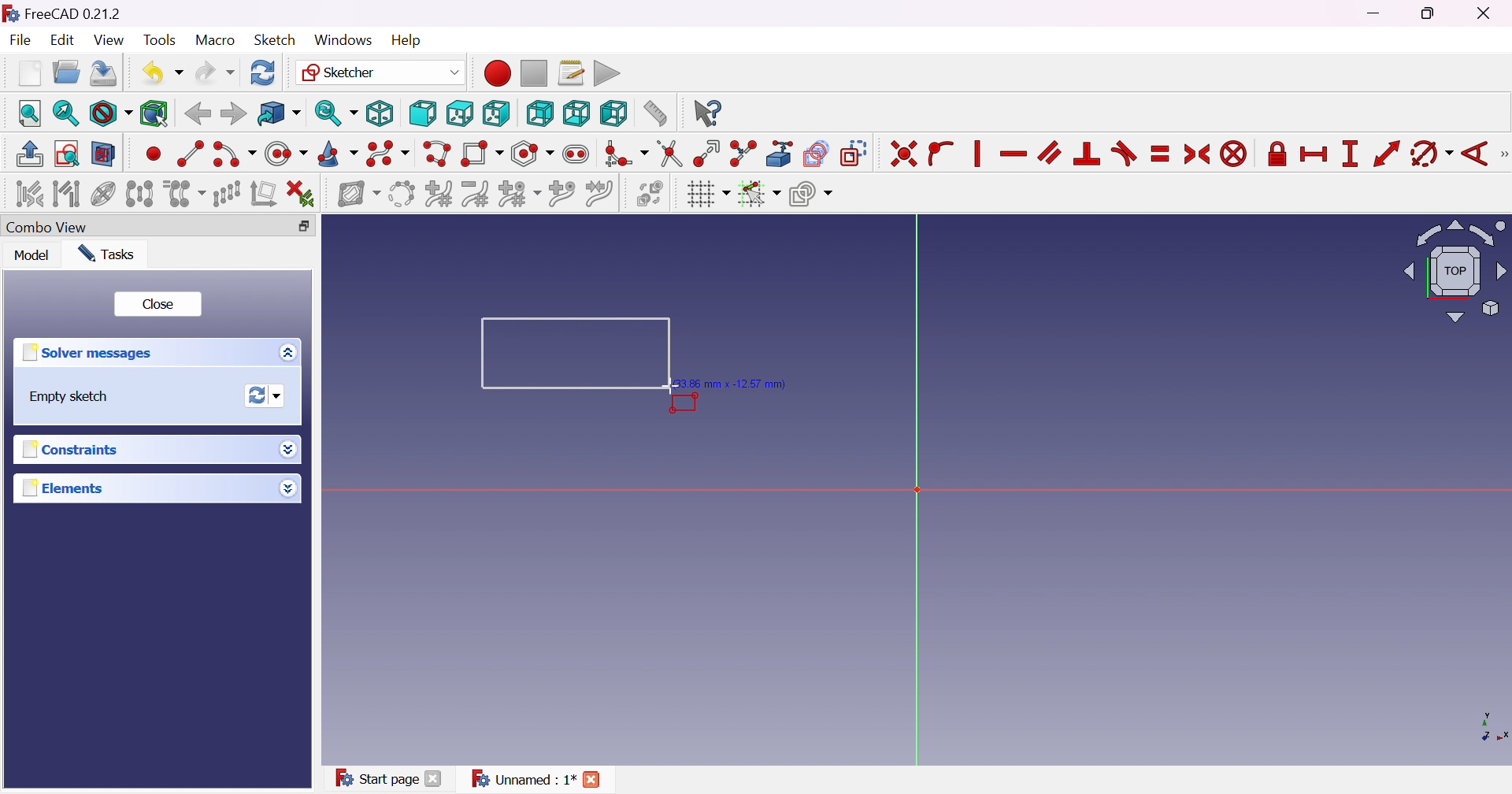 The height and width of the screenshot is (794, 1512). Describe the element at coordinates (608, 72) in the screenshot. I see `Execute macro` at that location.